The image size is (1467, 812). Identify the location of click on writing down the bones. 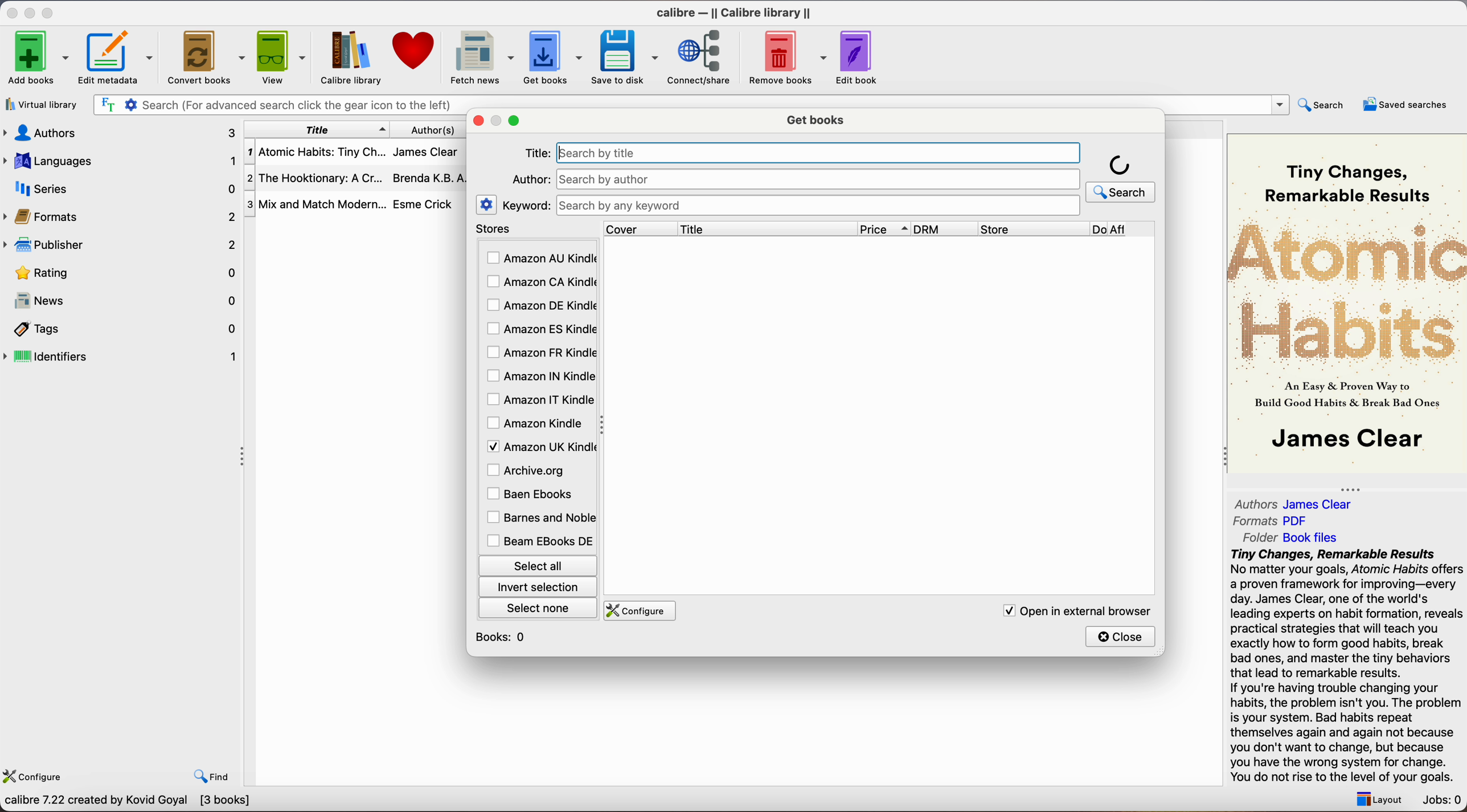
(819, 159).